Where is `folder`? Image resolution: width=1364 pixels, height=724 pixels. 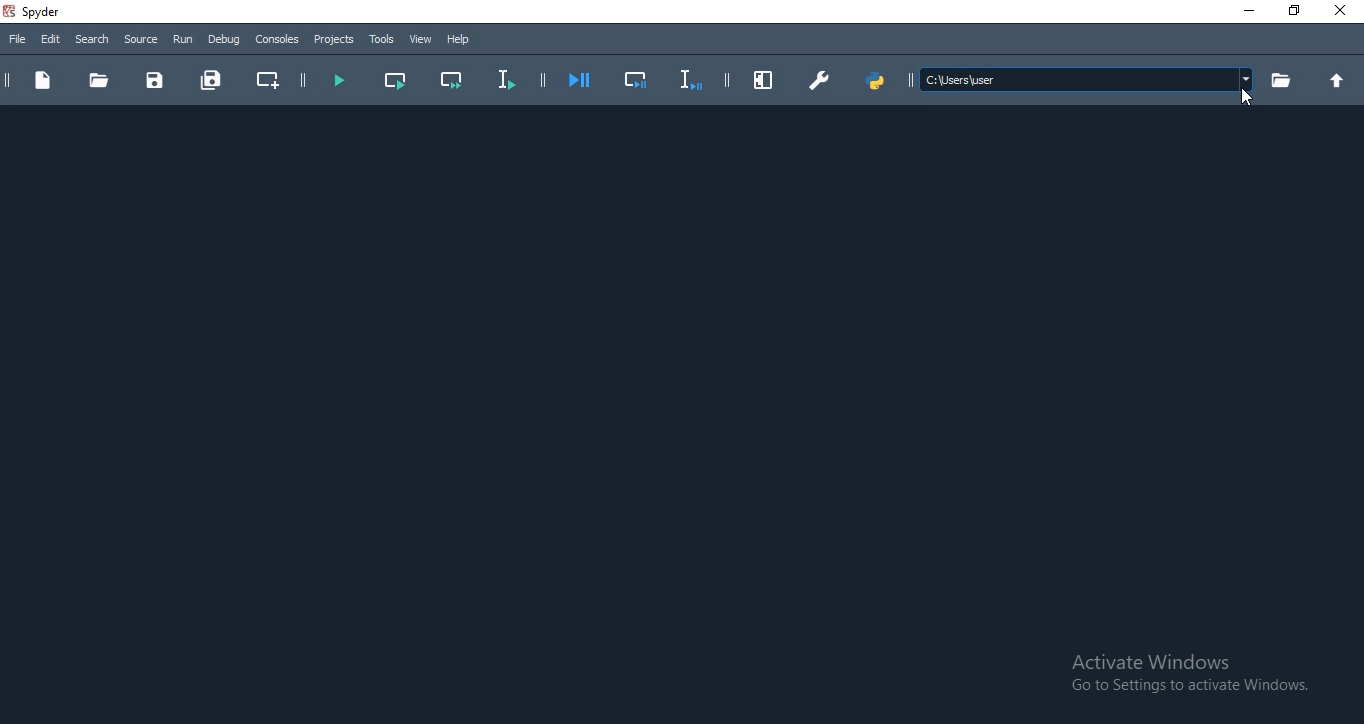 folder is located at coordinates (98, 79).